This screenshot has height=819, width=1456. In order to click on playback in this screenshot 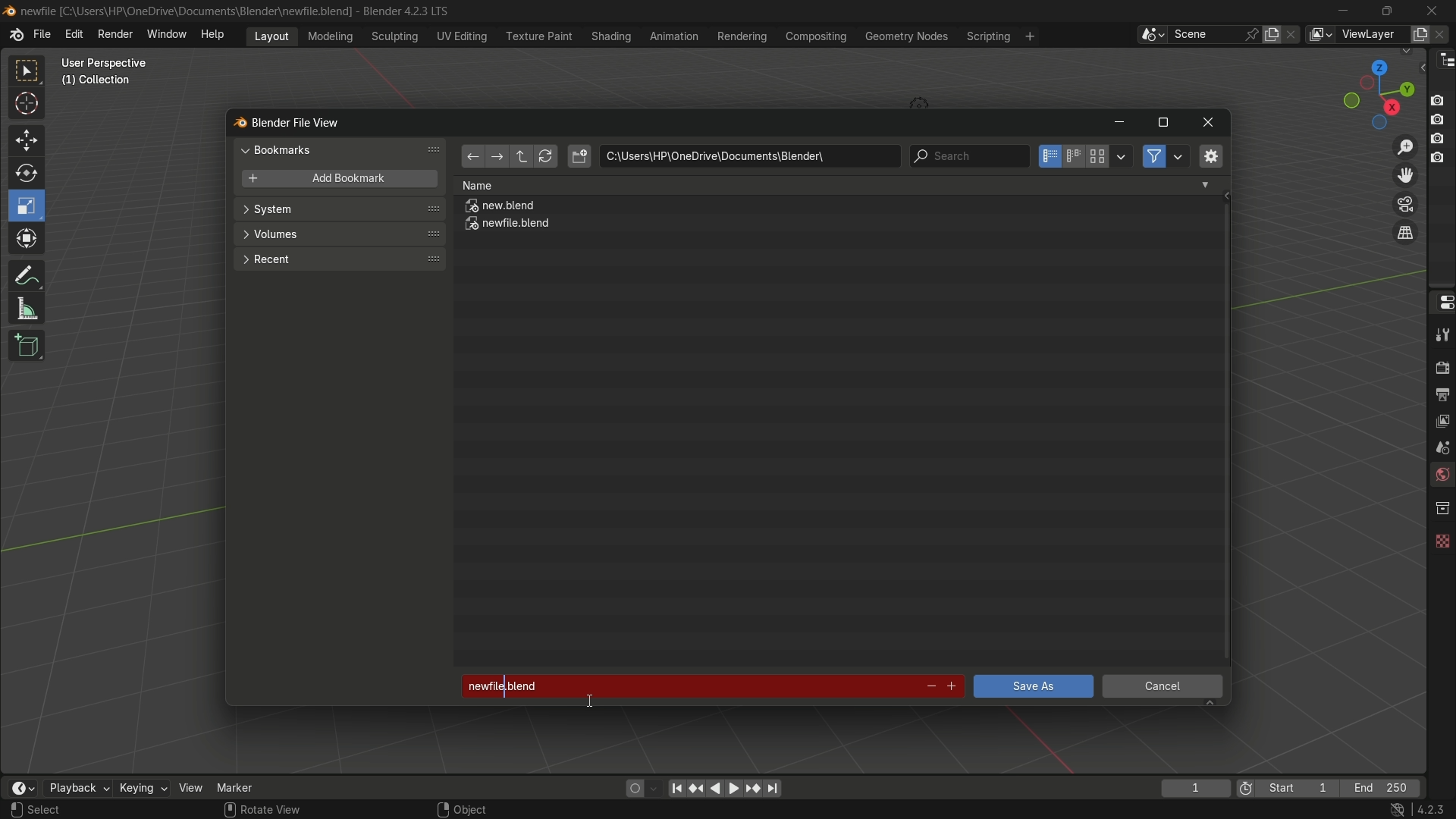, I will do `click(77, 788)`.